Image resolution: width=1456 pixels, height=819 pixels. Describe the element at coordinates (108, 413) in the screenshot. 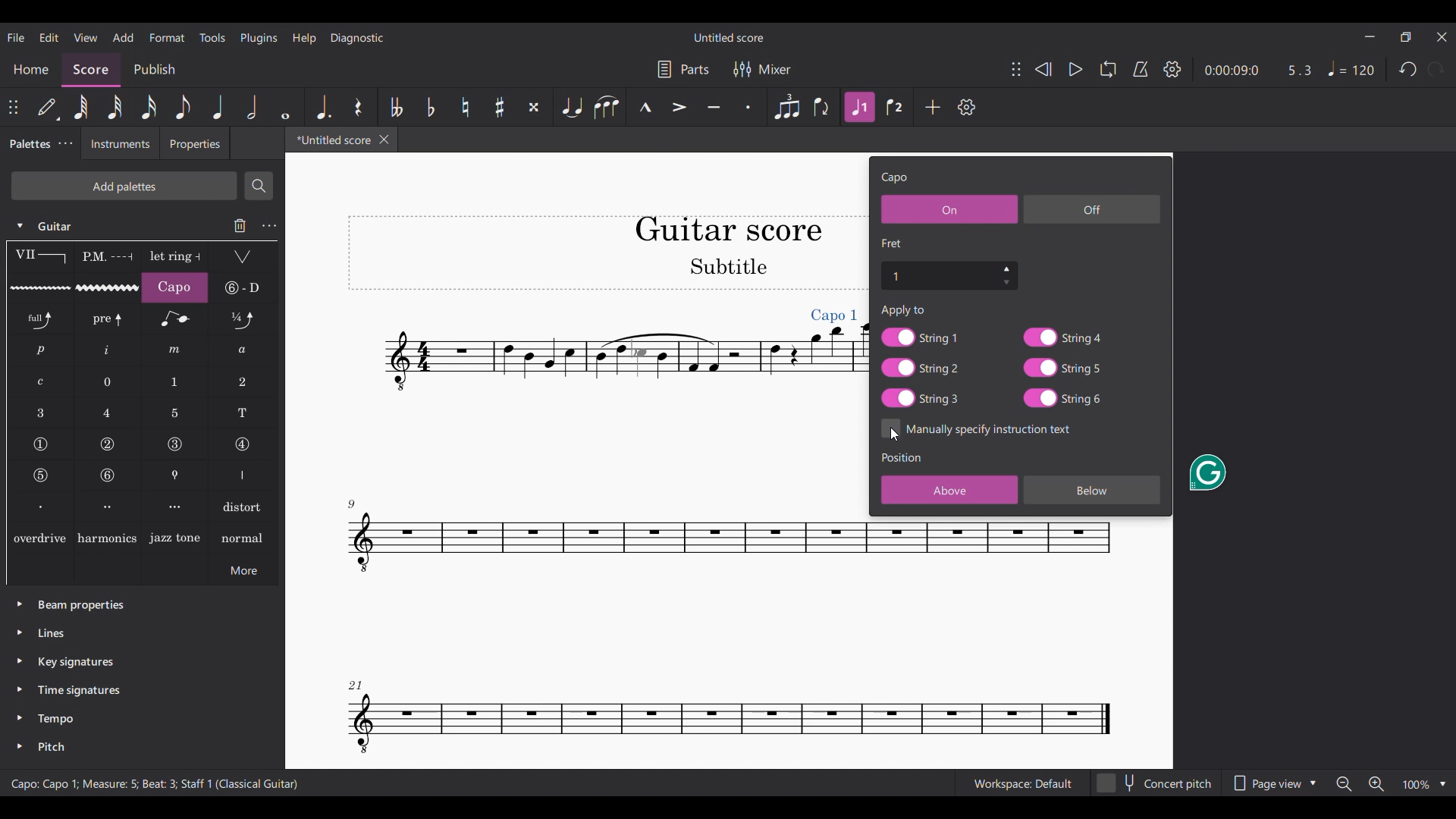

I see `LH guitar fingering 4` at that location.